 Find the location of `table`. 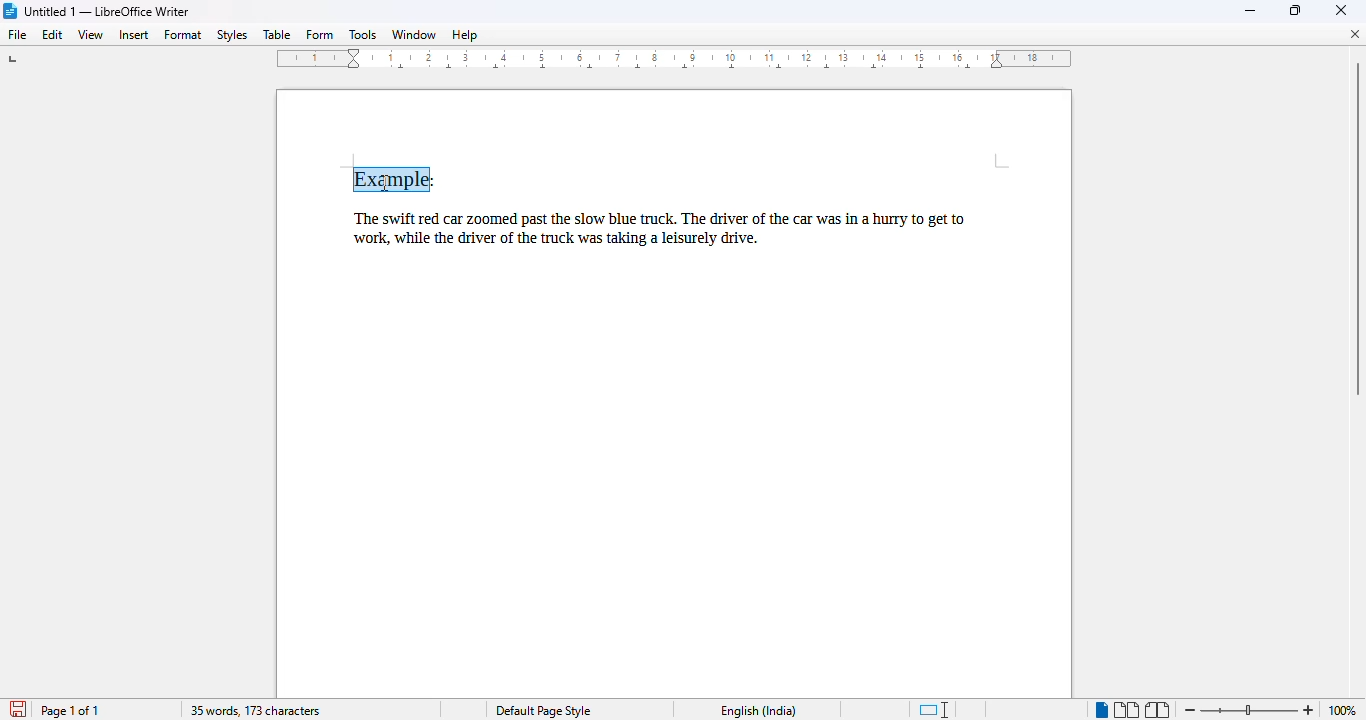

table is located at coordinates (277, 35).